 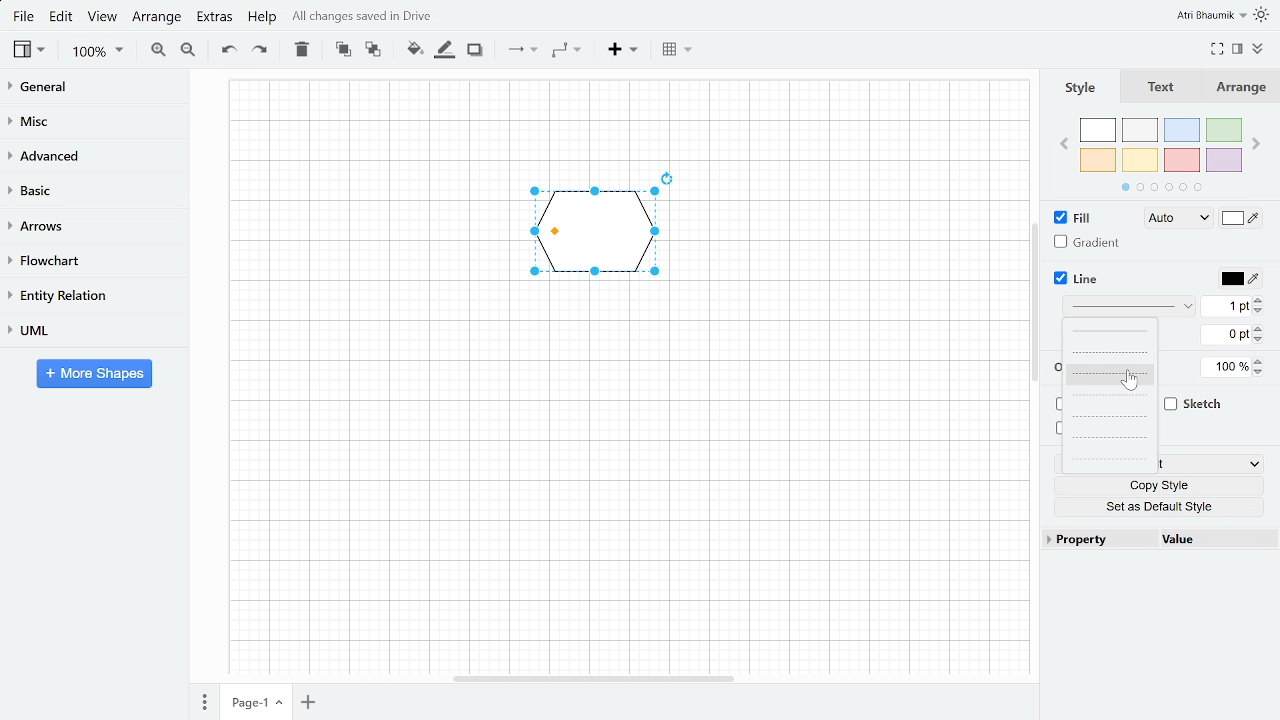 I want to click on  Entity relation, so click(x=89, y=295).